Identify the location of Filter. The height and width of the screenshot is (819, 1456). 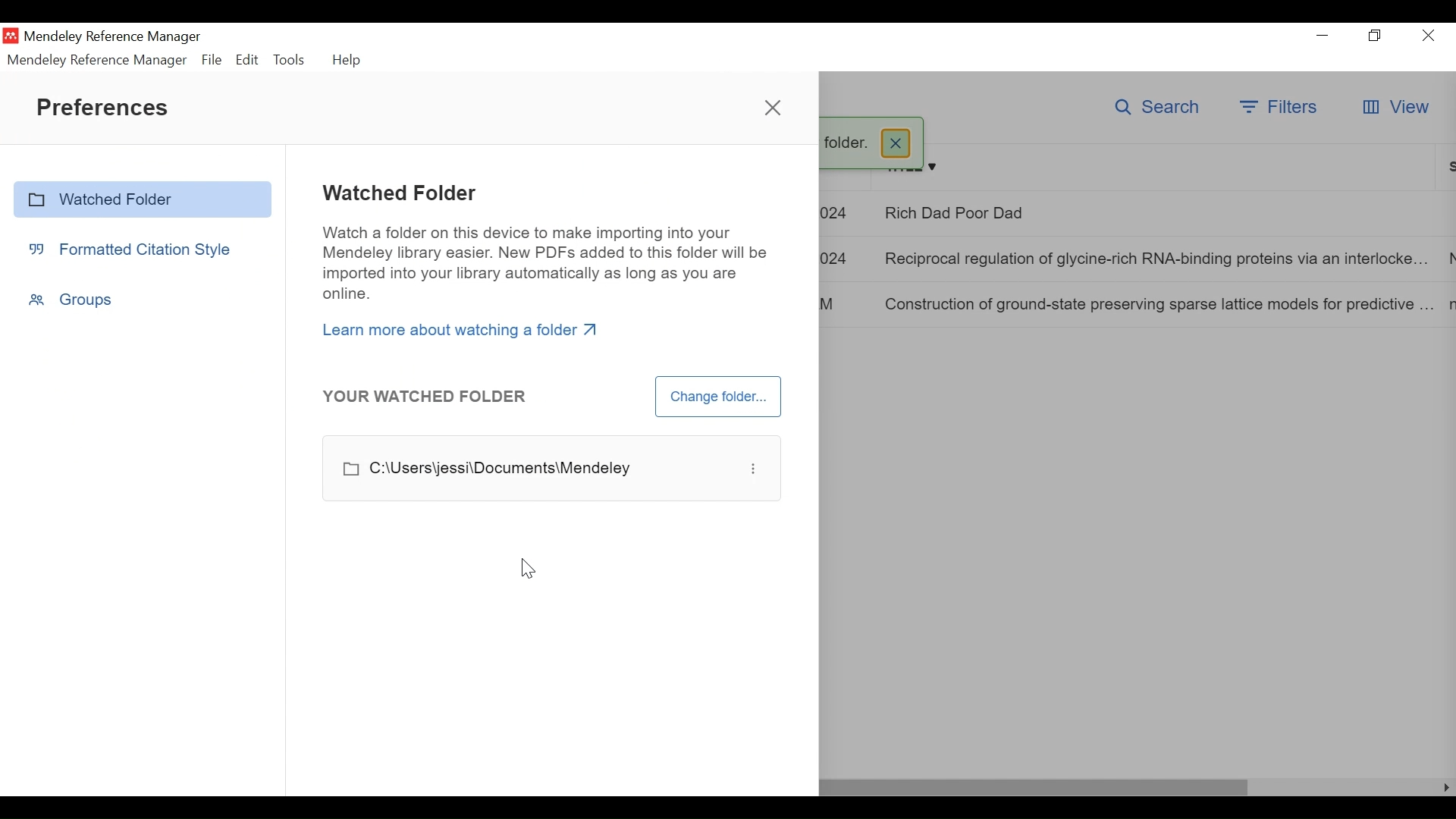
(1278, 105).